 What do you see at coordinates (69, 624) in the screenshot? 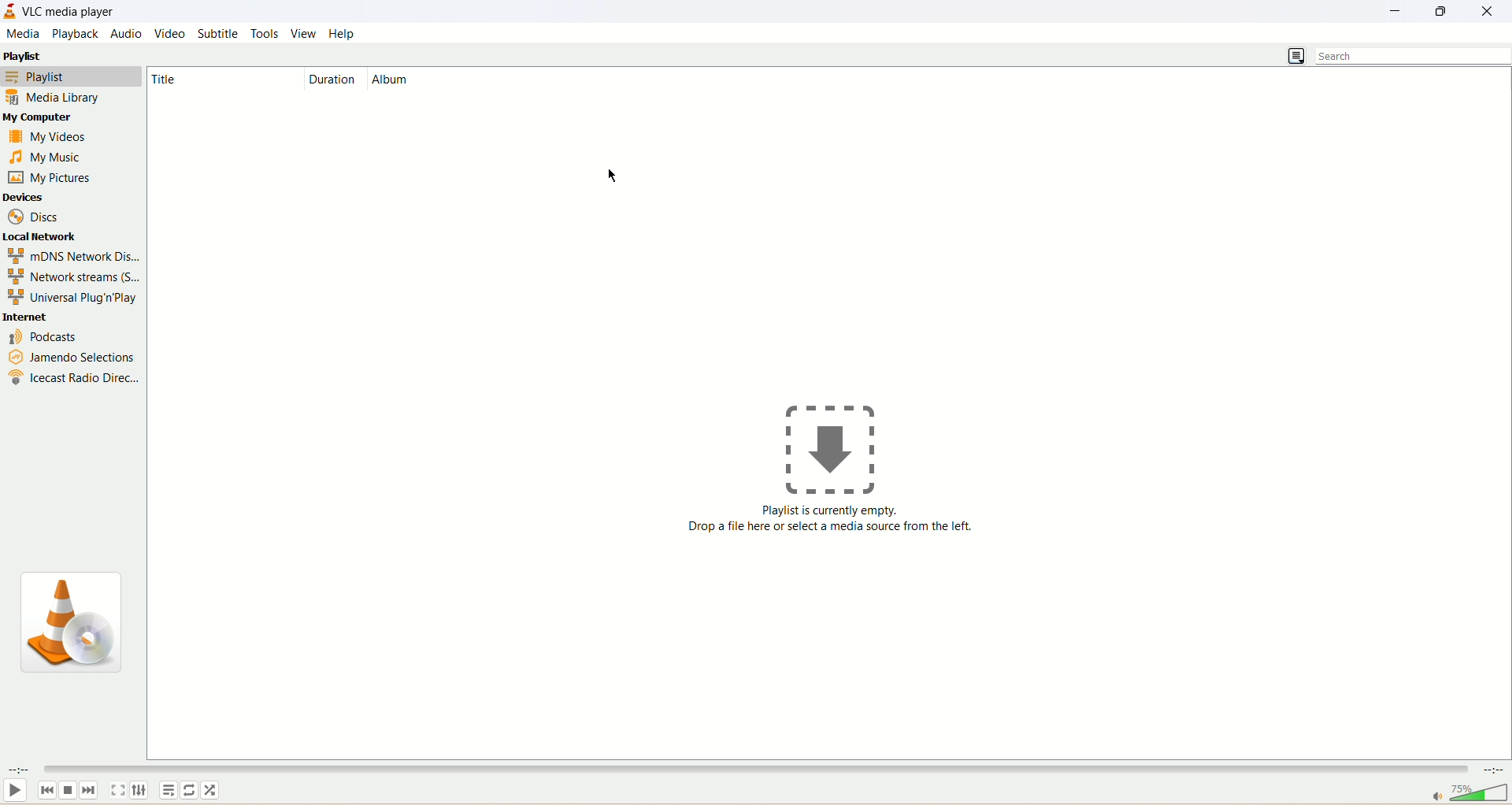
I see `logo` at bounding box center [69, 624].